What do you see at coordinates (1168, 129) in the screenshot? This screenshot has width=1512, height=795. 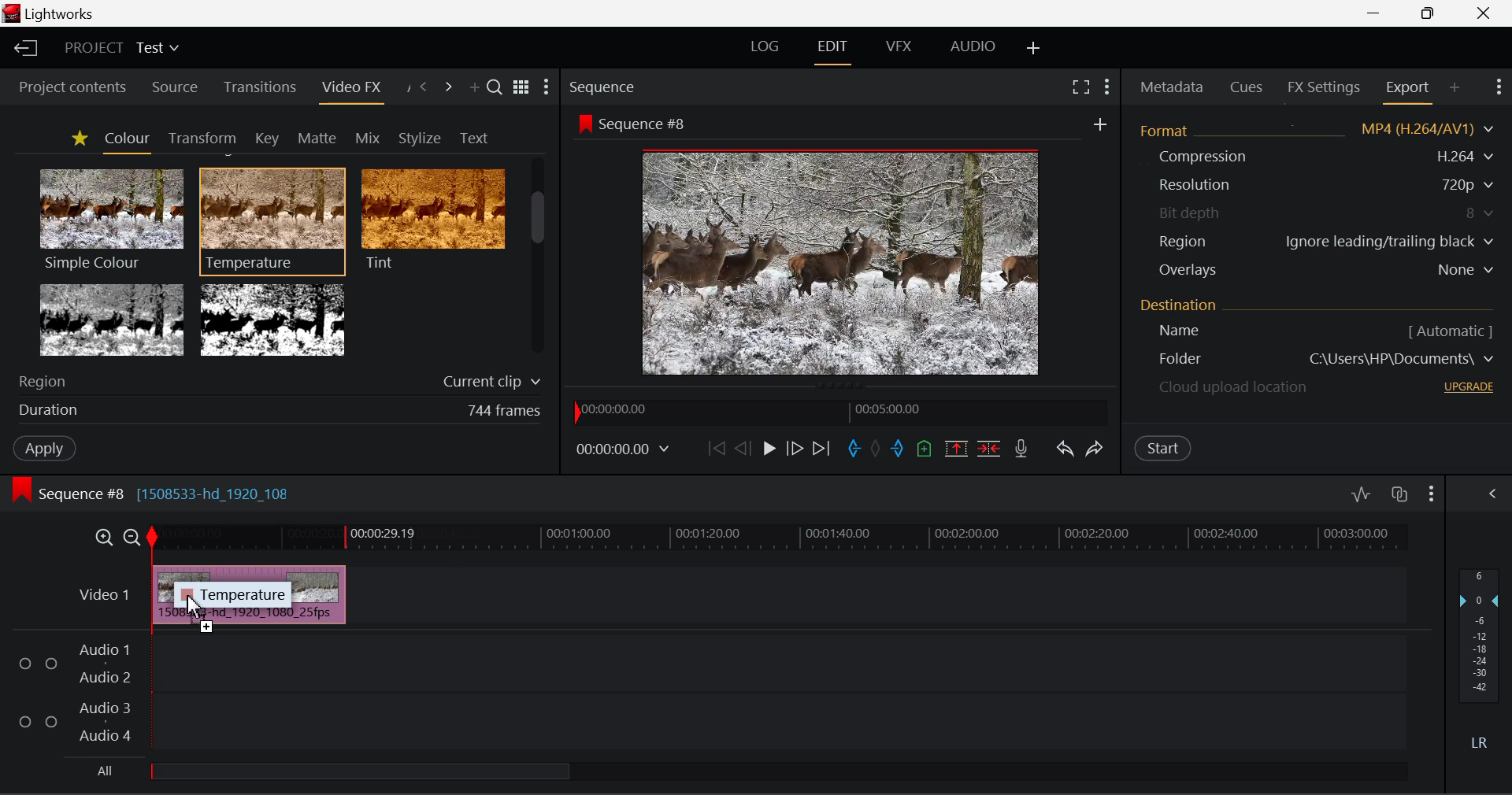 I see `Format` at bounding box center [1168, 129].